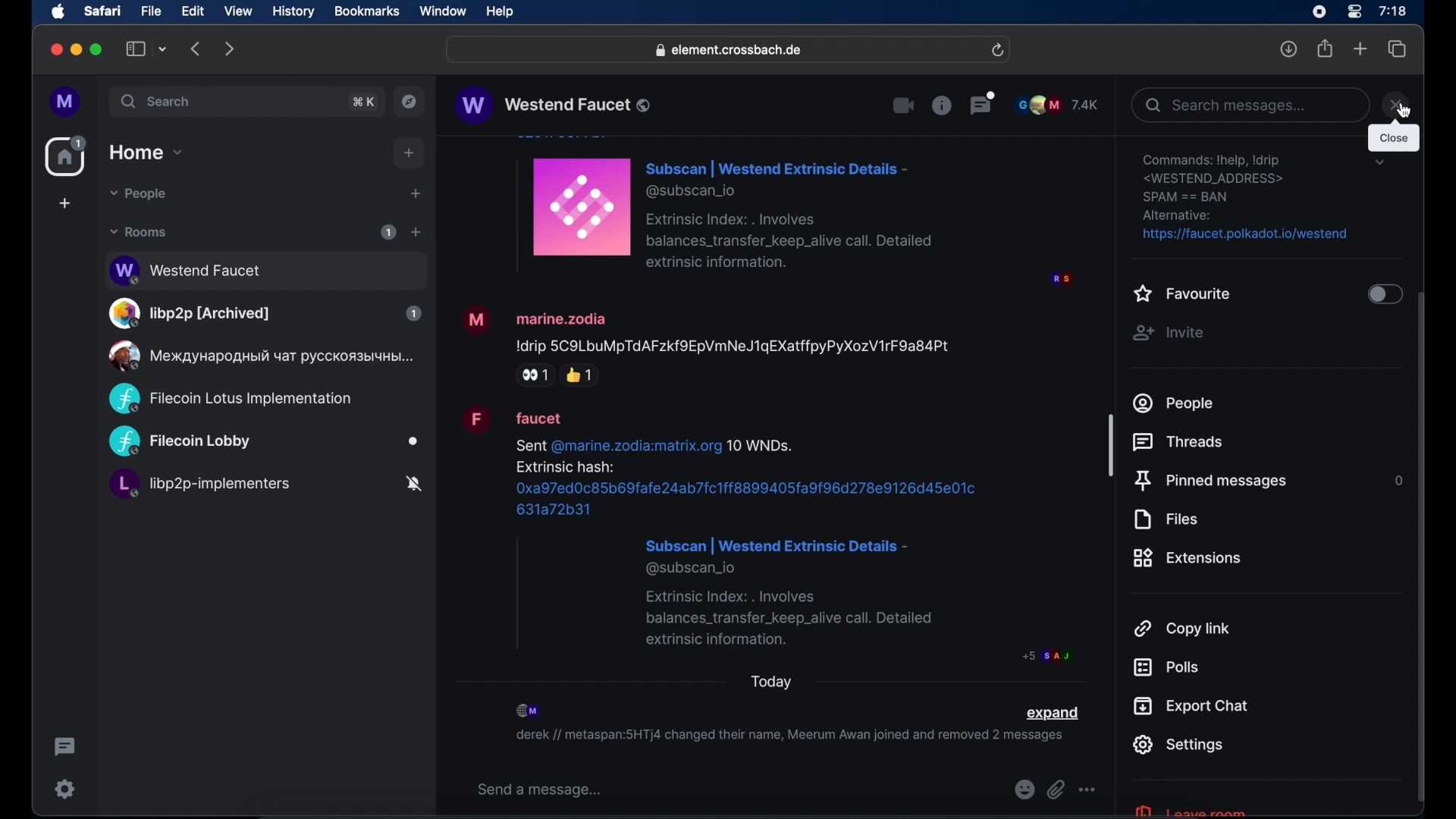  I want to click on public room, so click(264, 442).